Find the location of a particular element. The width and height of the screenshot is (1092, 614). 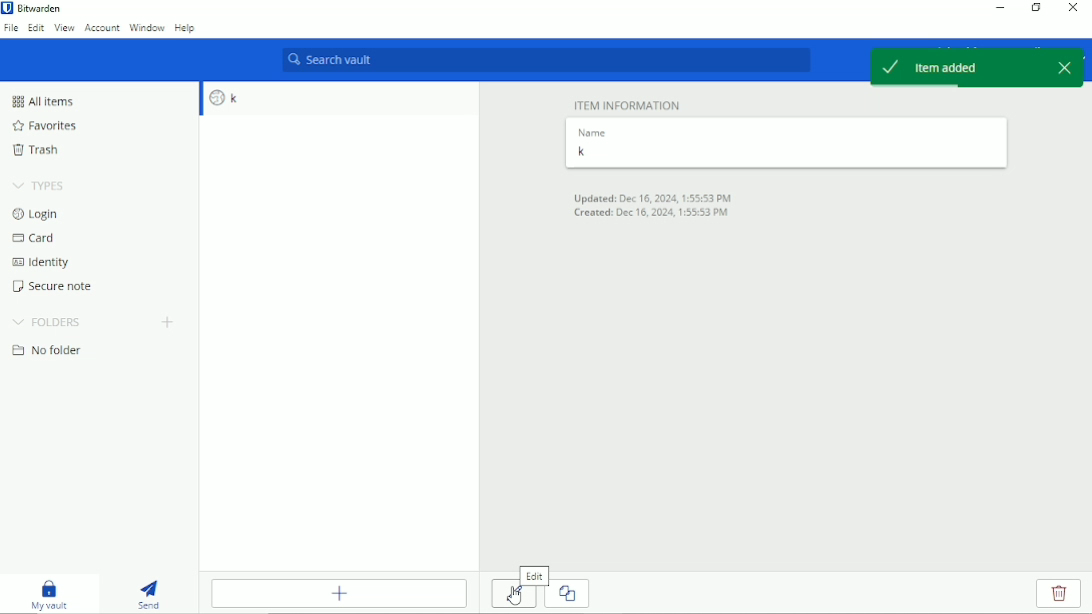

Trash is located at coordinates (38, 150).